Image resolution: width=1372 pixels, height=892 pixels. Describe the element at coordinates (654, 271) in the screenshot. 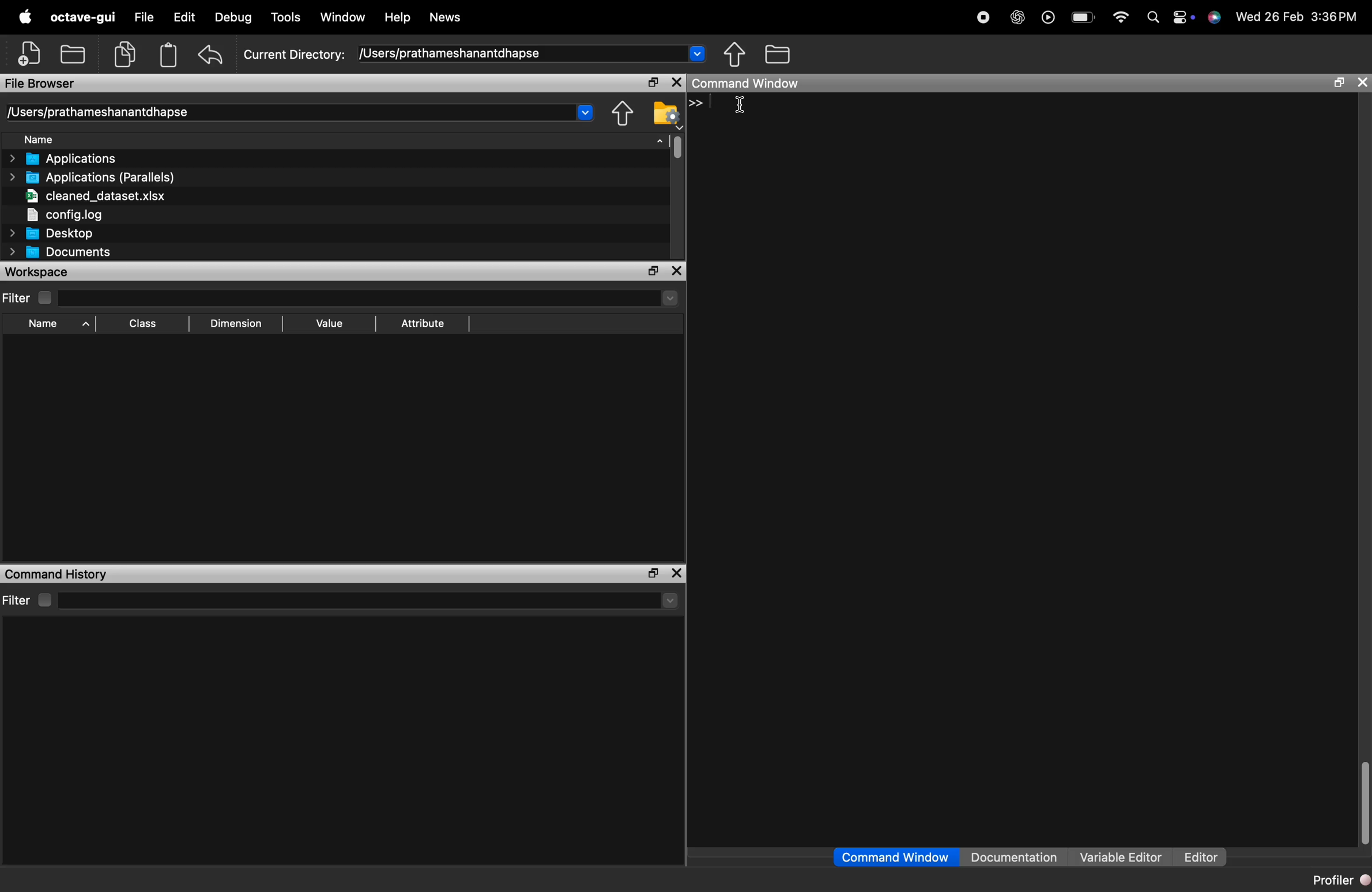

I see `maximize` at that location.